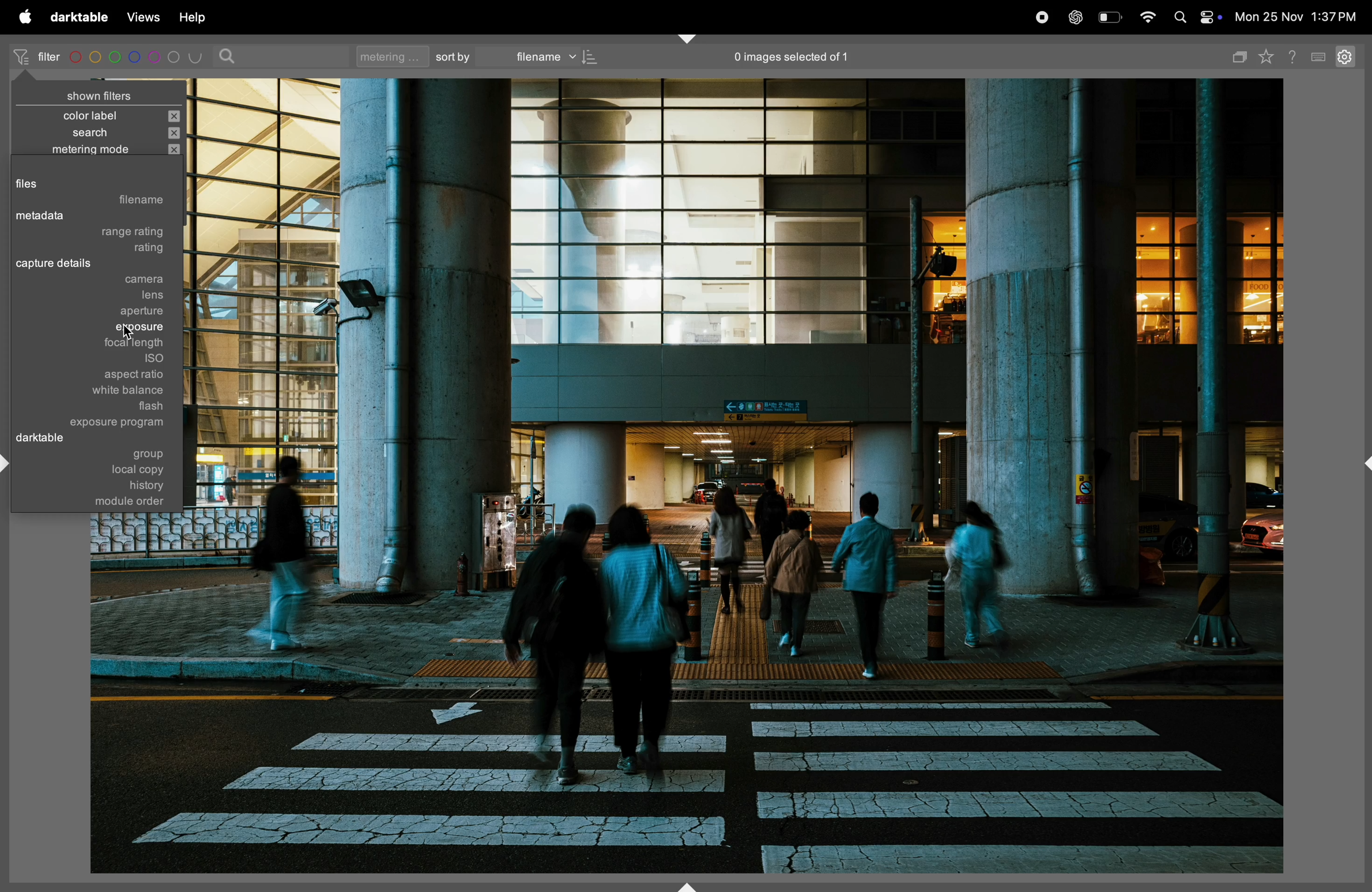 The image size is (1372, 892). I want to click on meta data, so click(91, 216).